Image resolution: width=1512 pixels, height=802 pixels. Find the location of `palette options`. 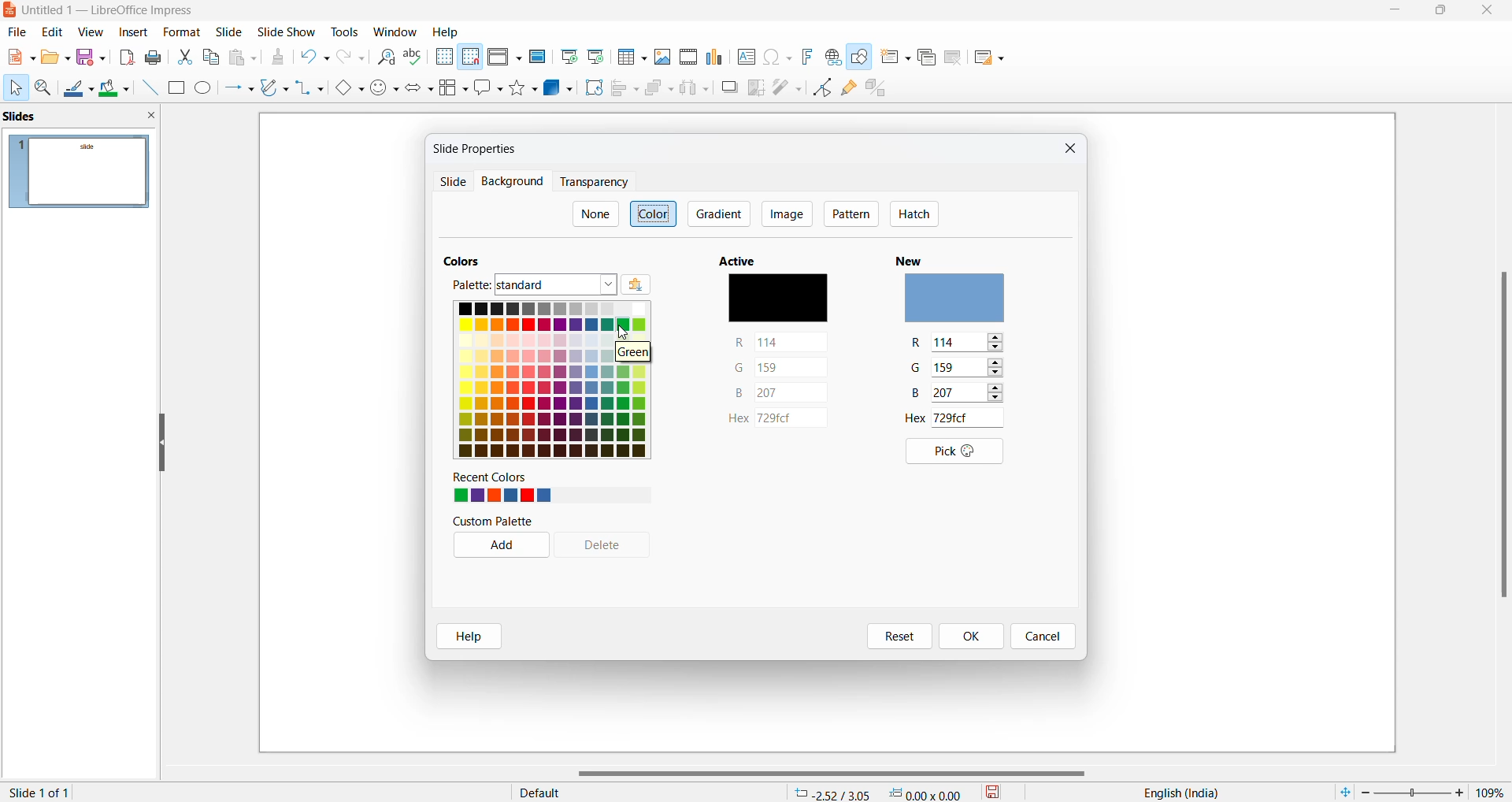

palette options is located at coordinates (557, 285).